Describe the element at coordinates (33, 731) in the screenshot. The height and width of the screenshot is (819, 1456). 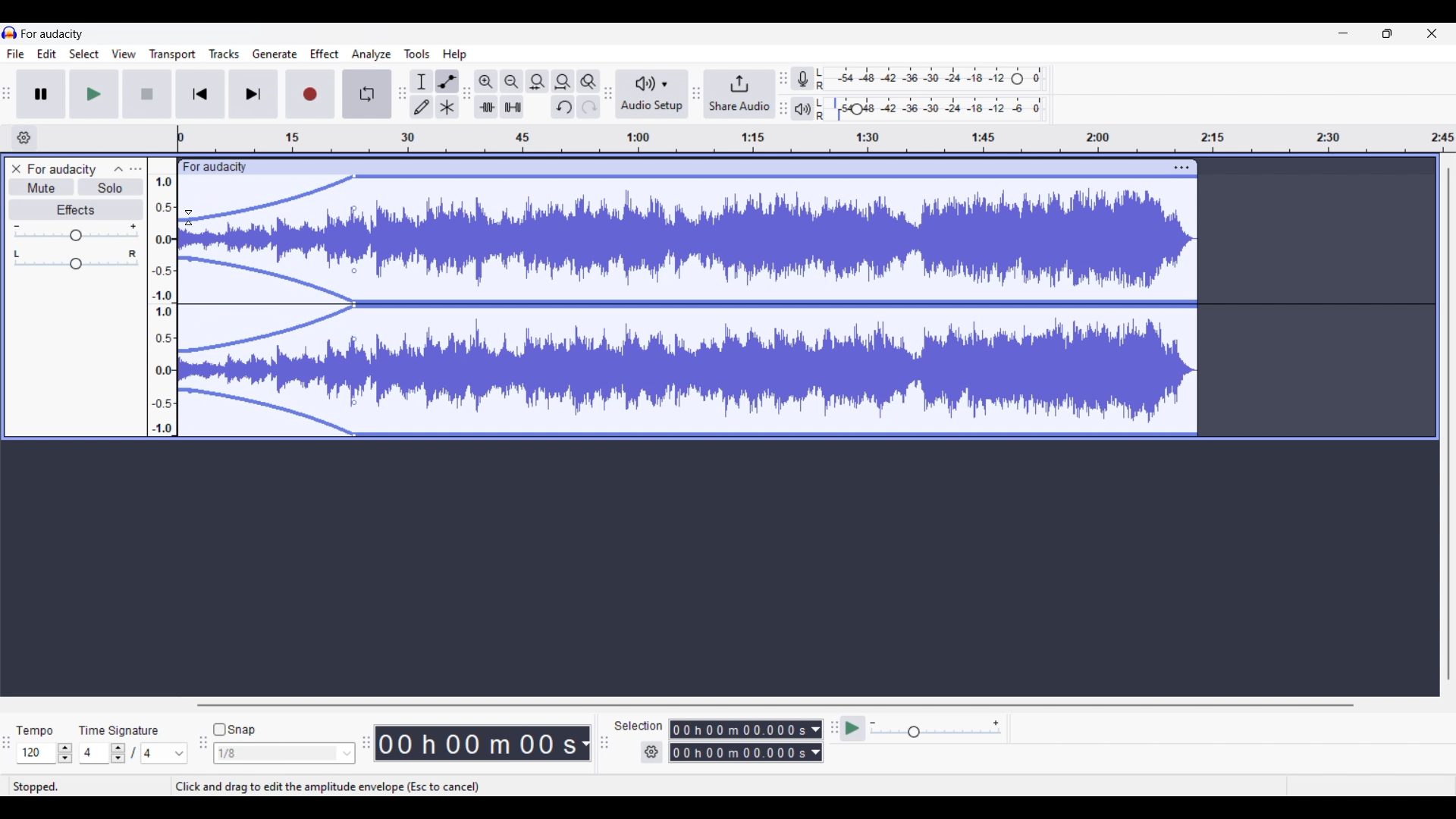
I see `tempo` at that location.